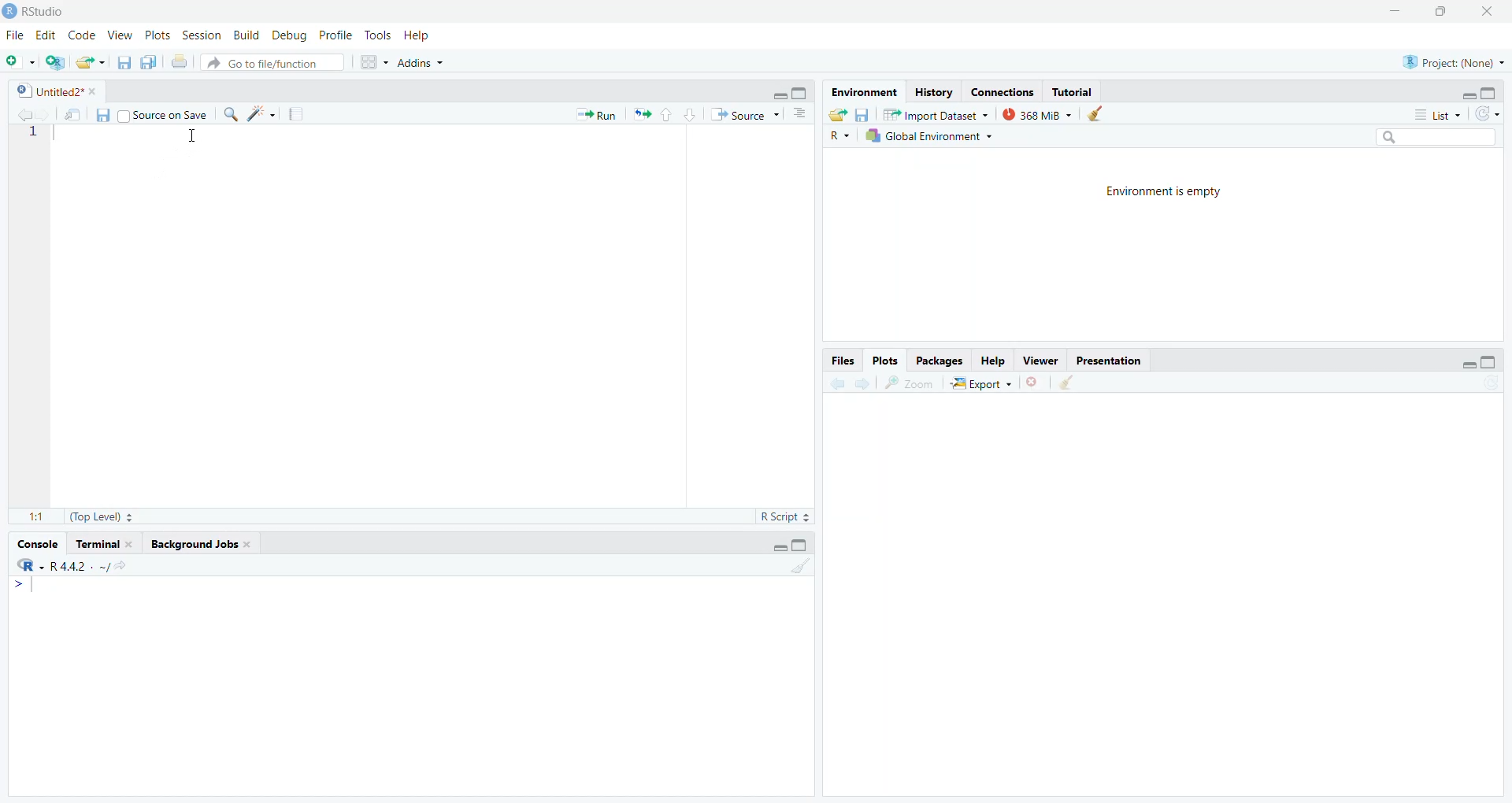 Image resolution: width=1512 pixels, height=803 pixels. Describe the element at coordinates (665, 117) in the screenshot. I see `upward` at that location.